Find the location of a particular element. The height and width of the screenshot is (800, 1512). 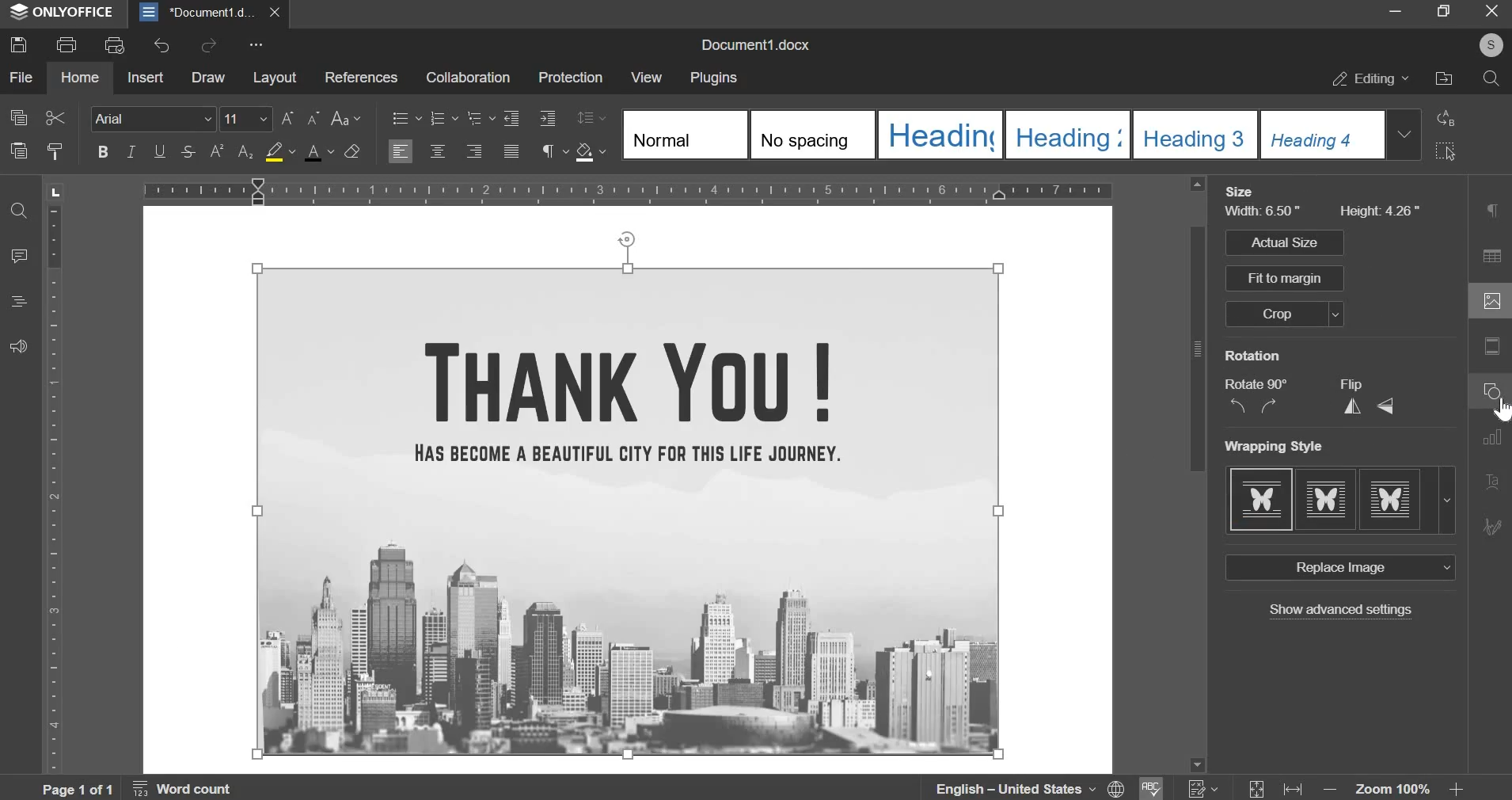

home is located at coordinates (79, 76).